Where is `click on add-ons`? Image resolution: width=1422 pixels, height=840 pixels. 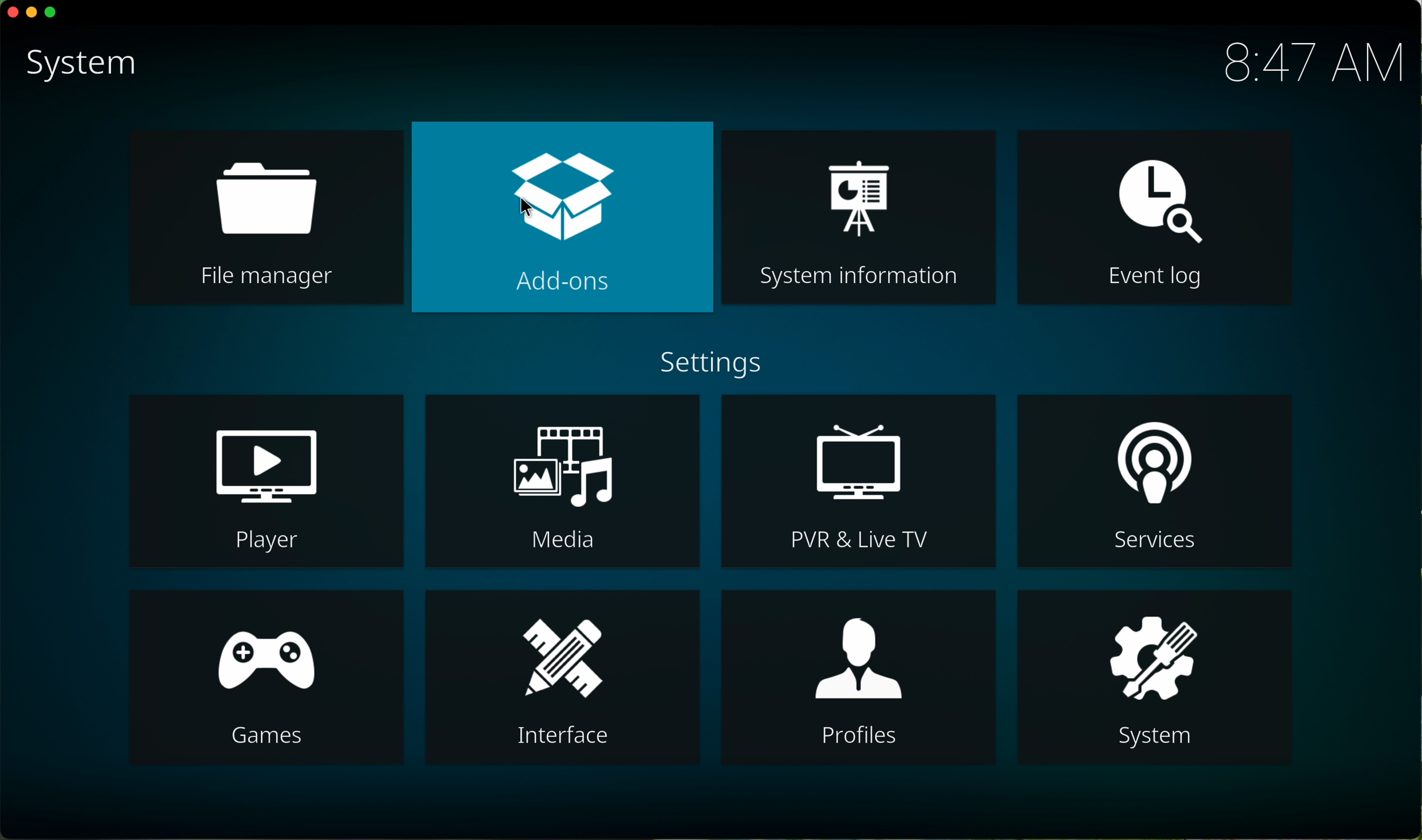 click on add-ons is located at coordinates (562, 217).